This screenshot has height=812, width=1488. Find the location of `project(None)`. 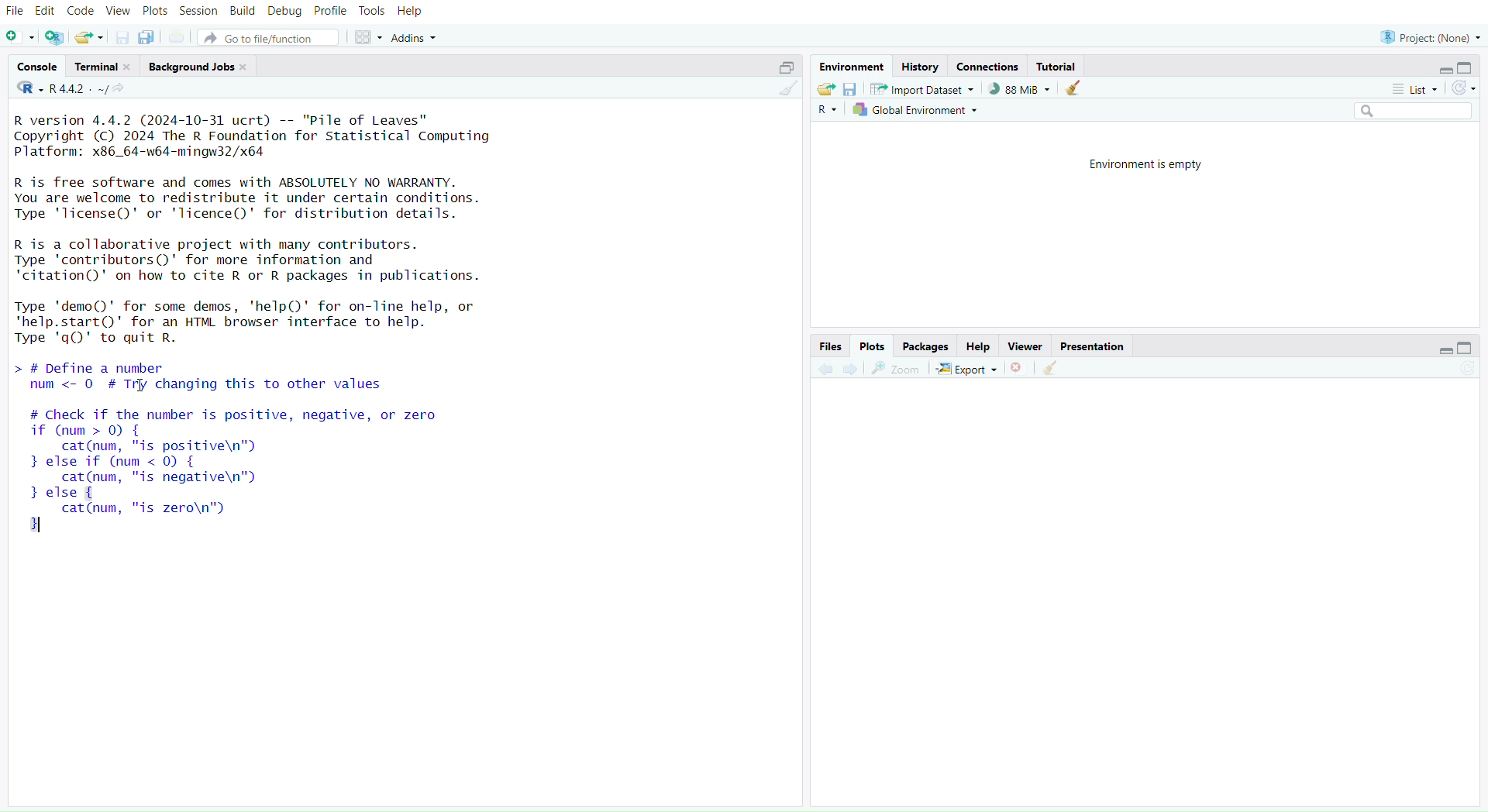

project(None) is located at coordinates (1430, 36).